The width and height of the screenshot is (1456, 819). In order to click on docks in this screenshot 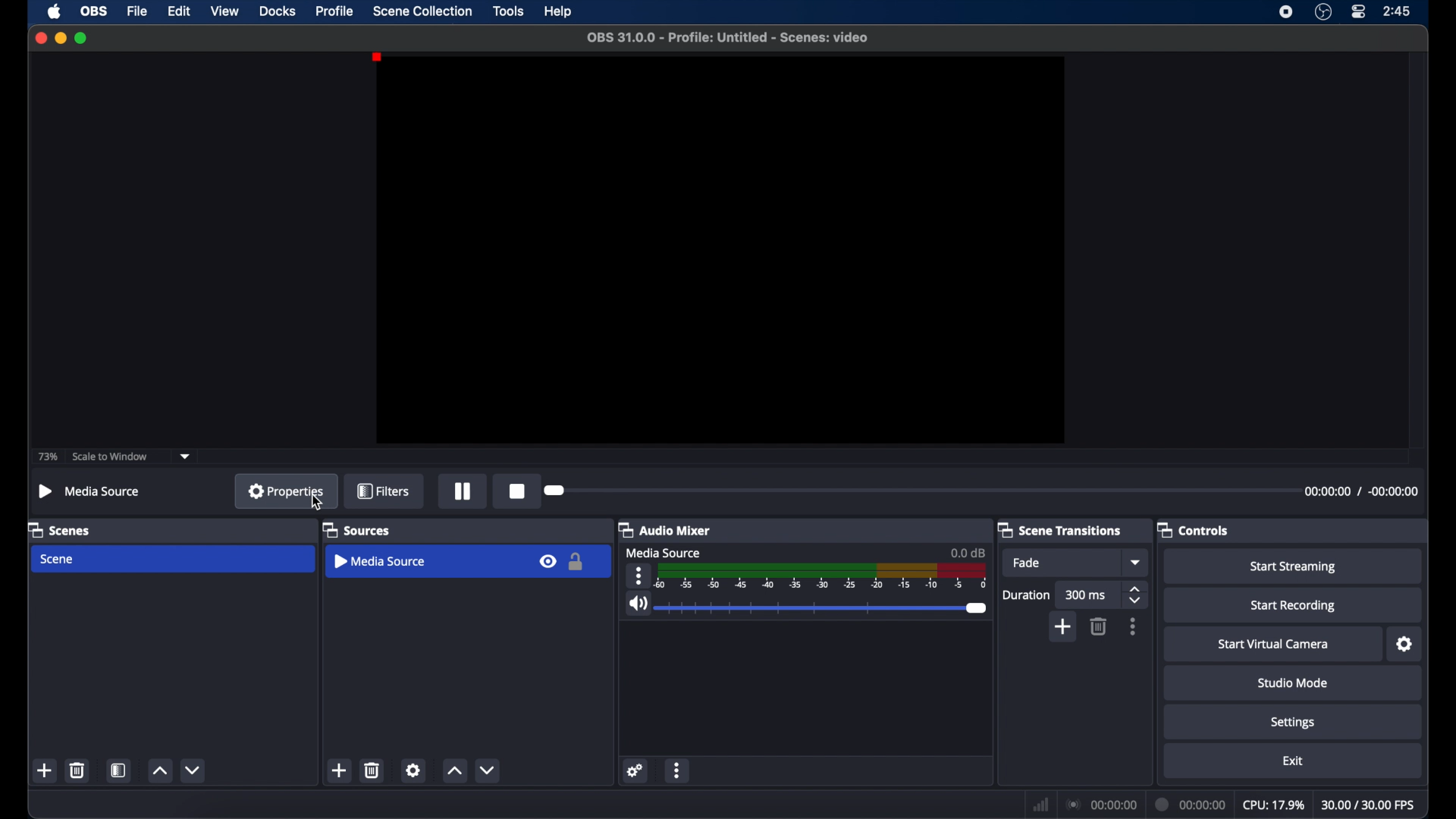, I will do `click(278, 11)`.